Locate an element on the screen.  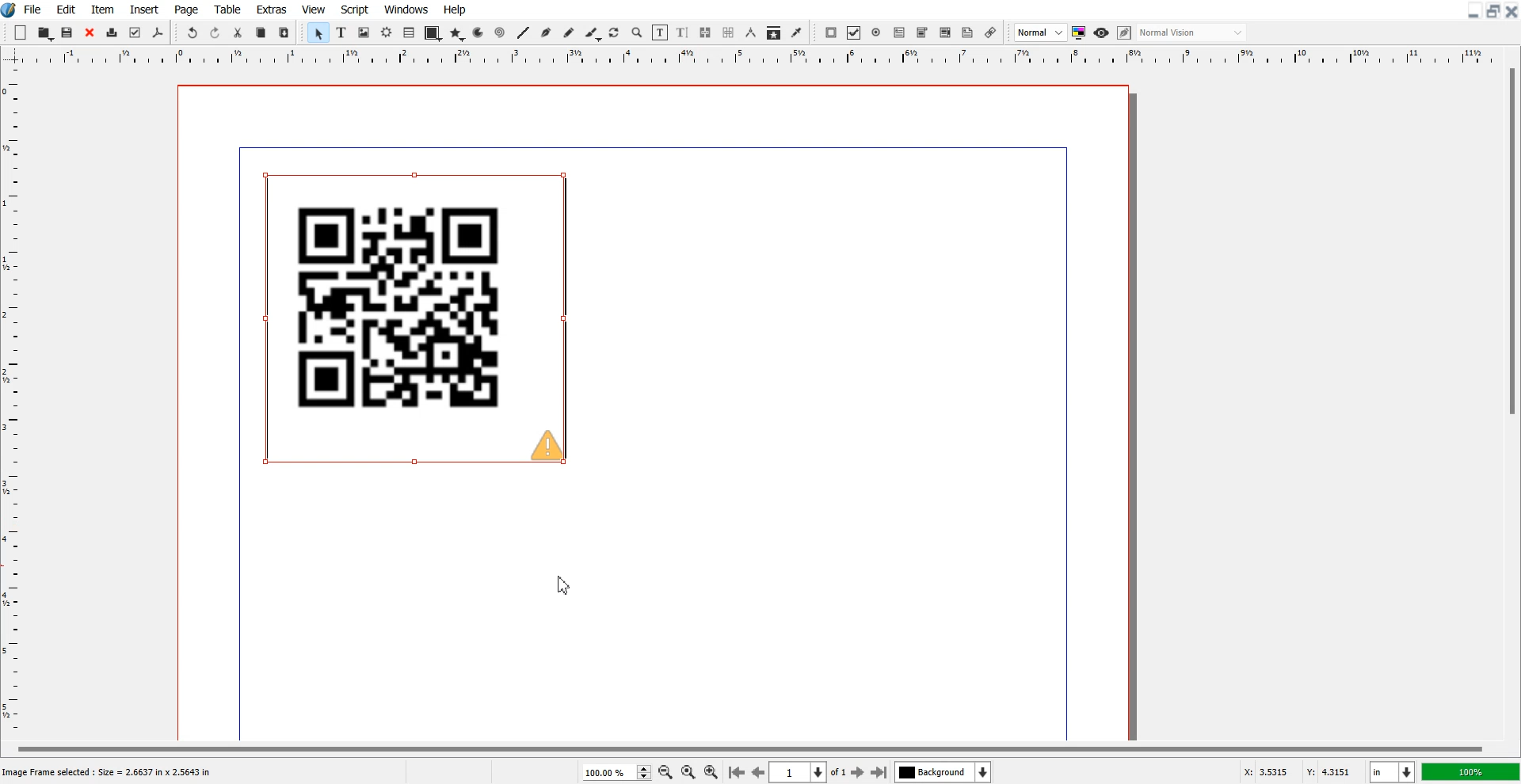
Close is located at coordinates (90, 32).